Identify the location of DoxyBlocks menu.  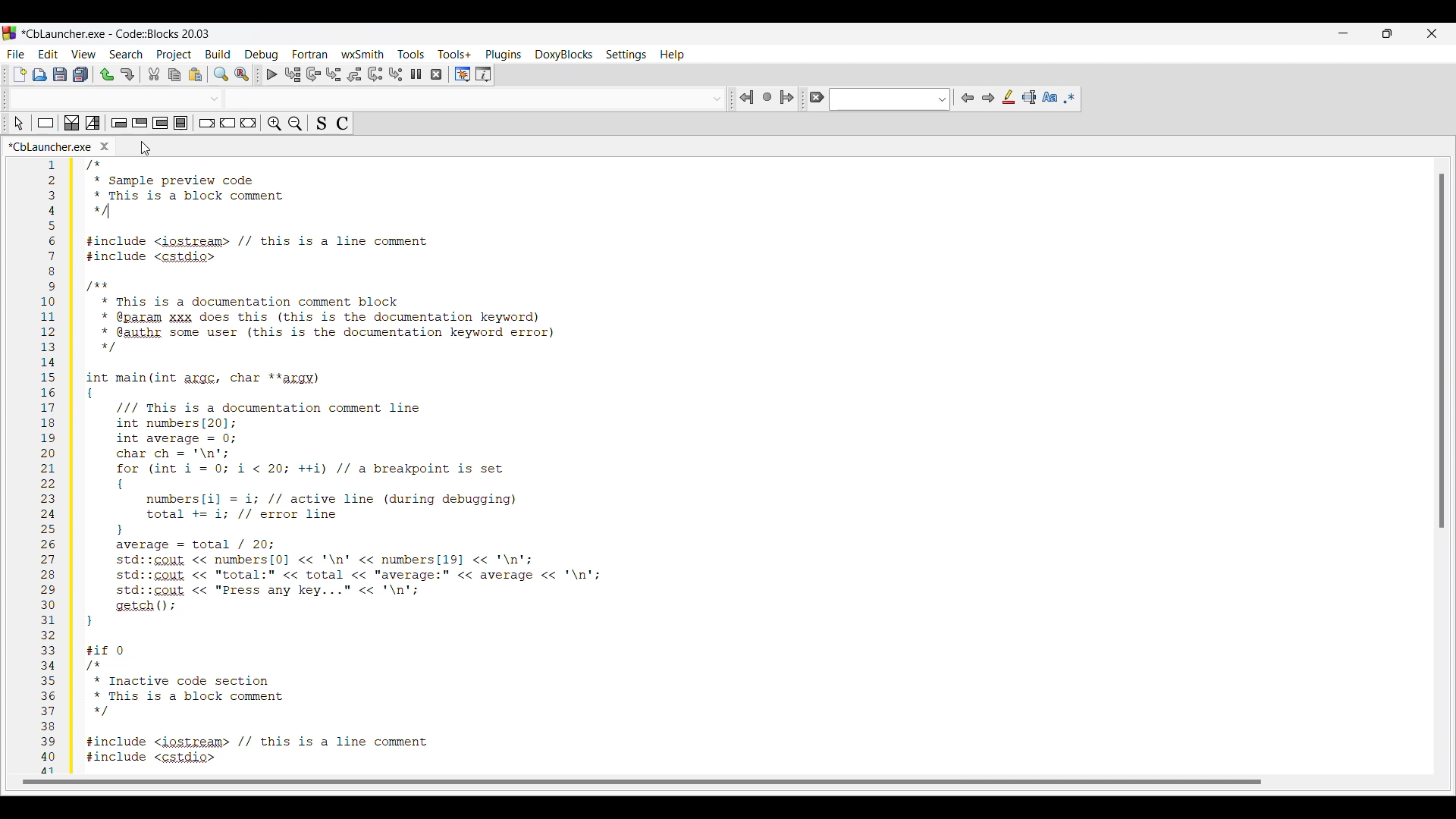
(563, 55).